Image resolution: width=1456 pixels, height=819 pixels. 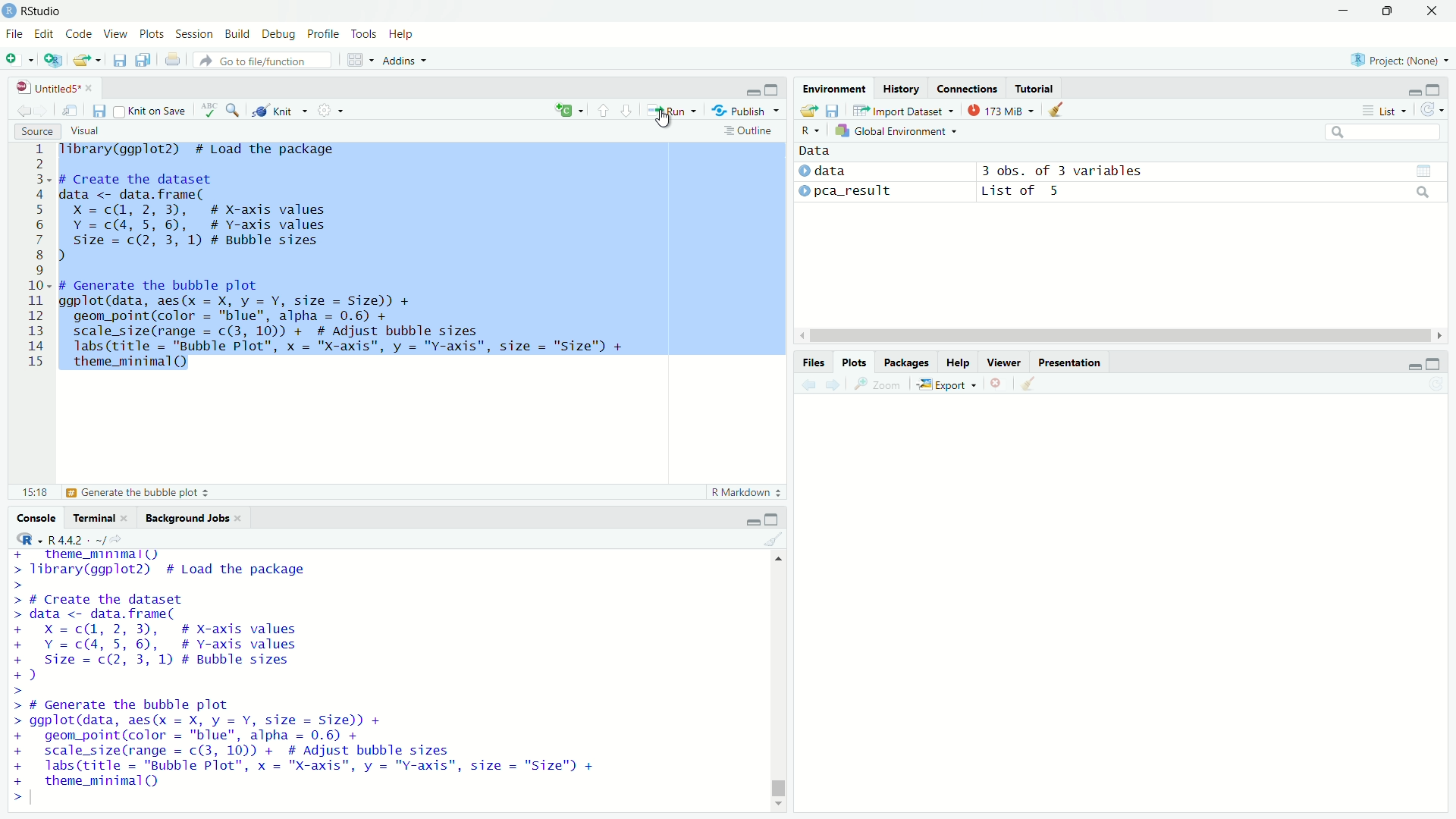 What do you see at coordinates (1121, 337) in the screenshot?
I see `horizontal scrollbar` at bounding box center [1121, 337].